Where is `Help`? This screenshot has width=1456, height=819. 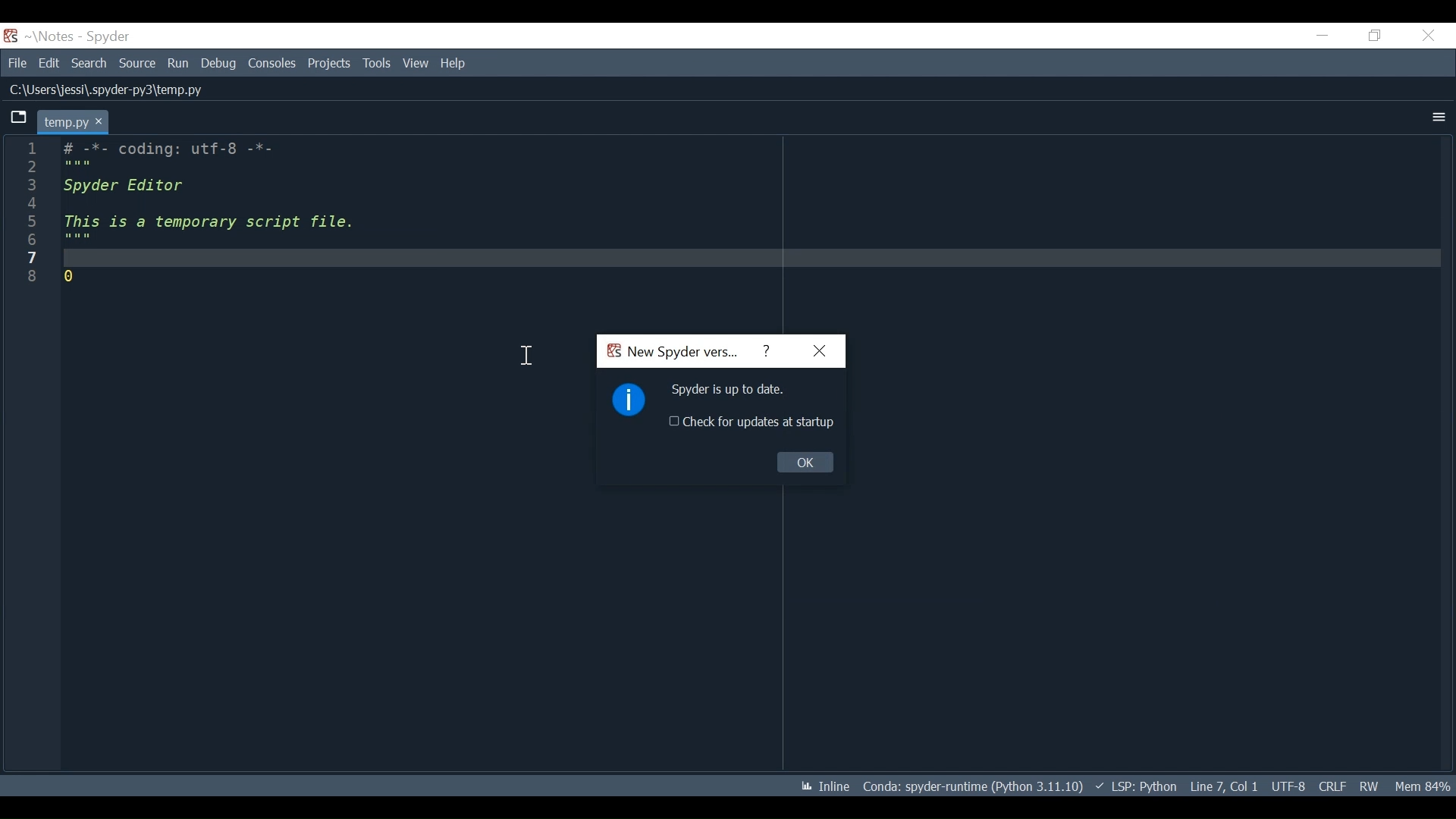
Help is located at coordinates (456, 61).